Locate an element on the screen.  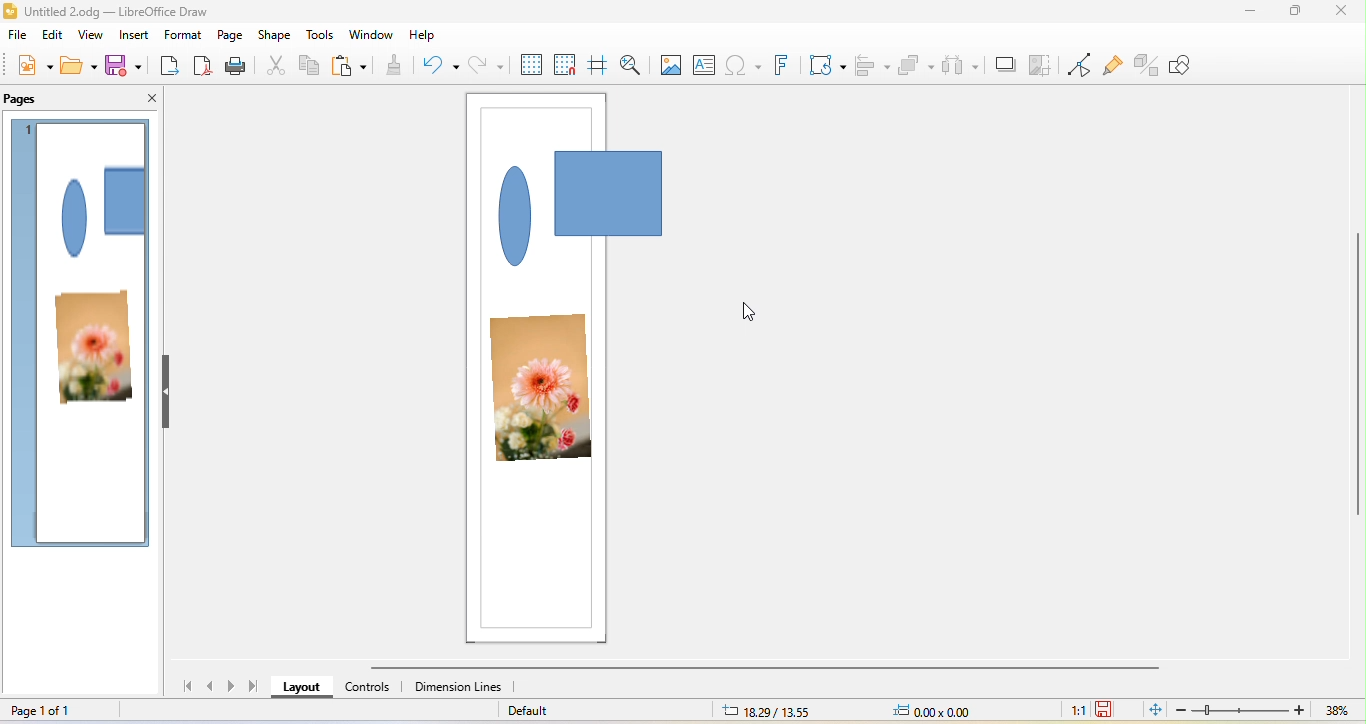
crop image is located at coordinates (1042, 62).